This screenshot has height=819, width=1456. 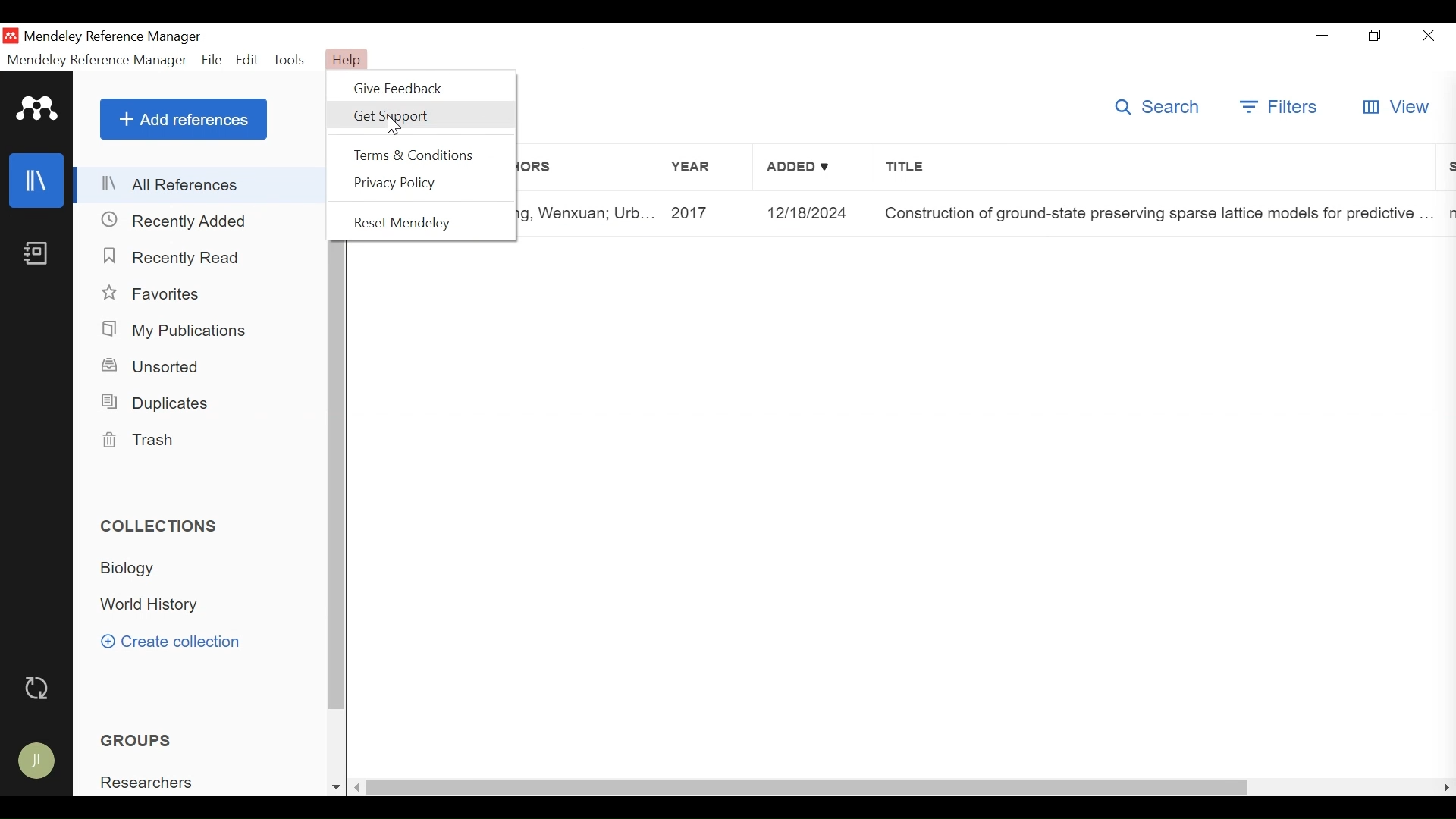 I want to click on Notebook, so click(x=37, y=253).